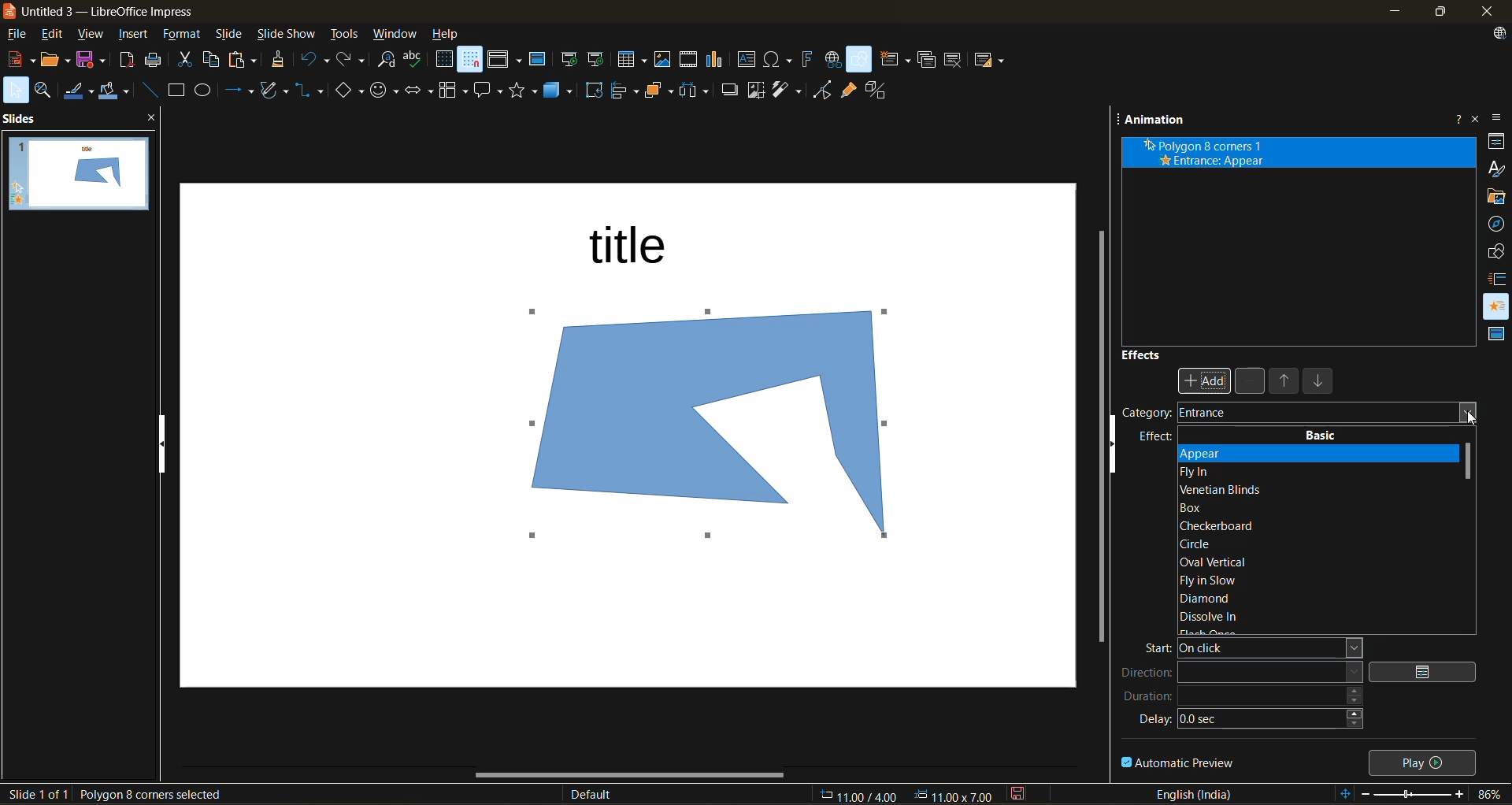 The width and height of the screenshot is (1512, 805). What do you see at coordinates (80, 91) in the screenshot?
I see `line color` at bounding box center [80, 91].